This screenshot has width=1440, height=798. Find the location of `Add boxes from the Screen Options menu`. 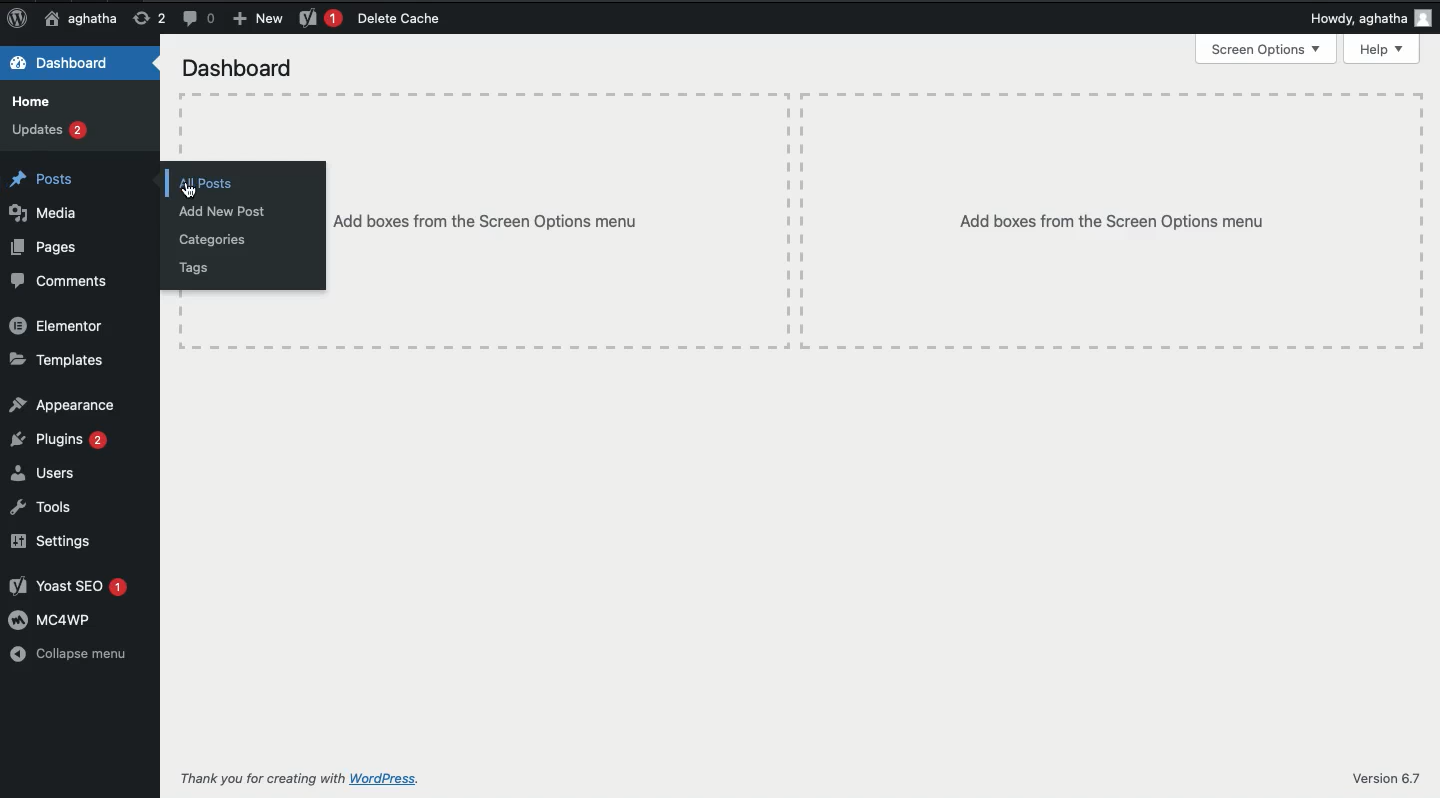

Add boxes from the Screen Options menu is located at coordinates (488, 223).